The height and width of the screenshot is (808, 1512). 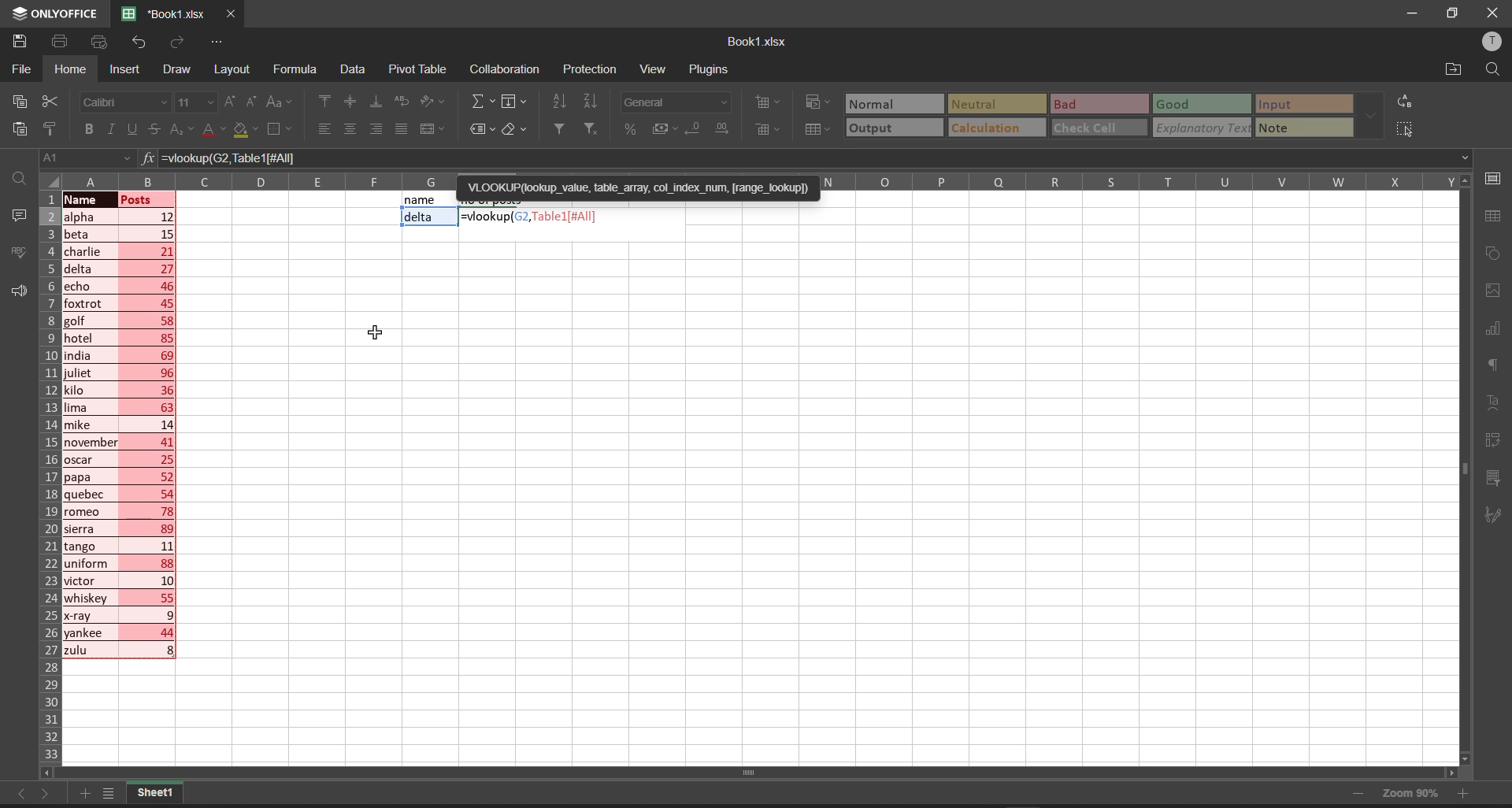 I want to click on scroll up, so click(x=1461, y=180).